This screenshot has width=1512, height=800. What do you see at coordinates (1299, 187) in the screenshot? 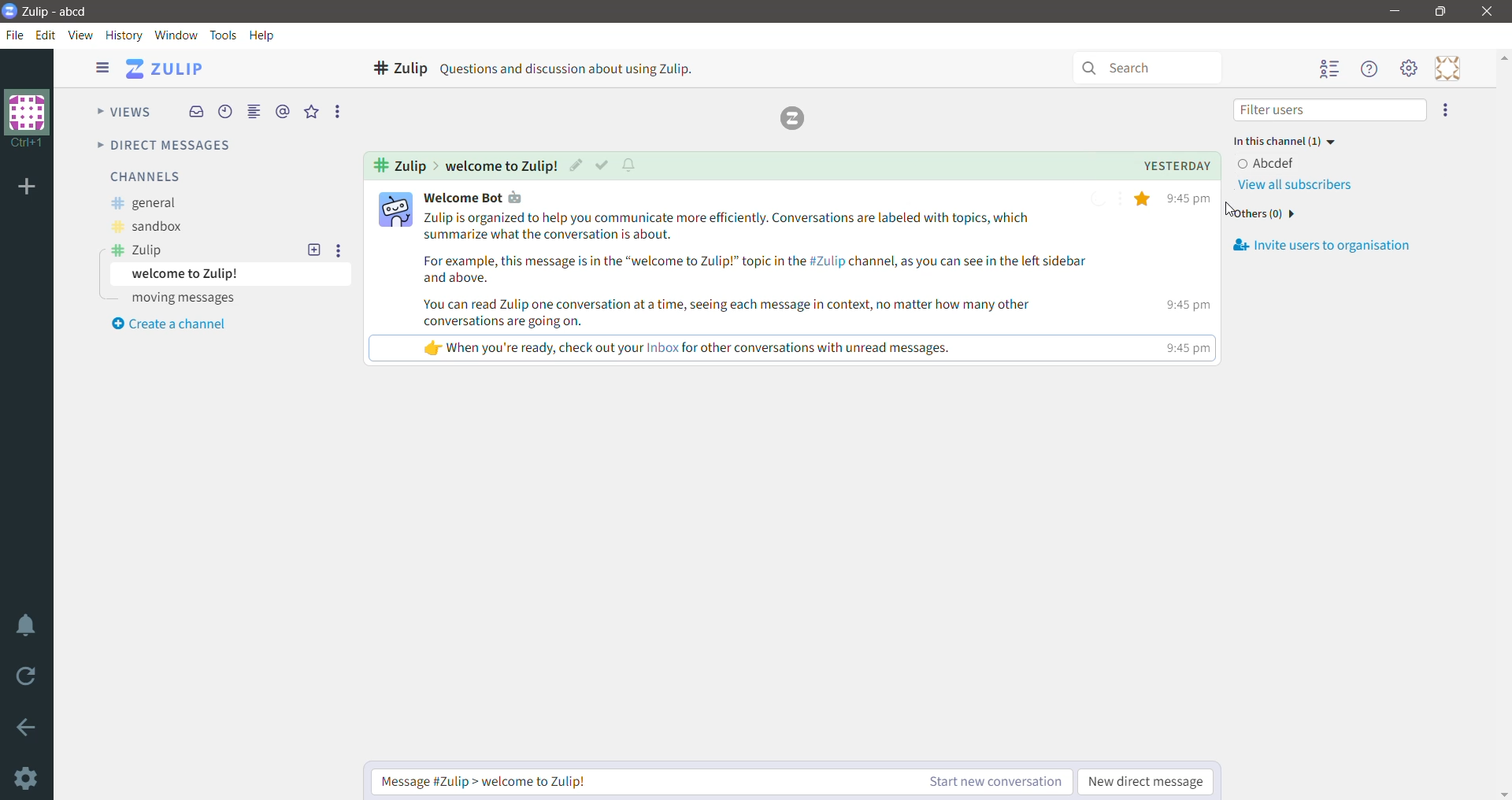
I see `View all Subscribers` at bounding box center [1299, 187].